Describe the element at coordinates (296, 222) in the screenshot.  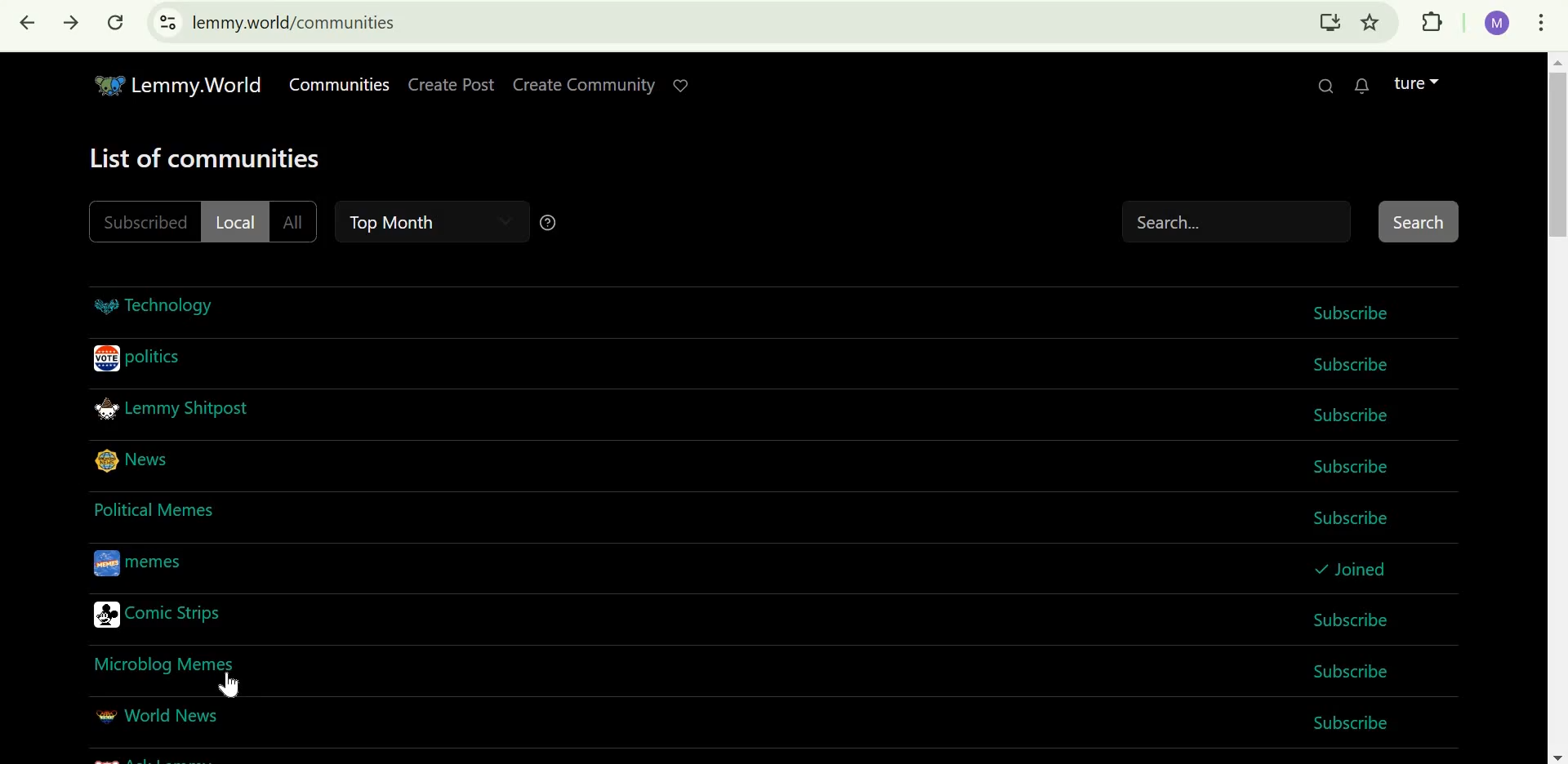
I see `All` at that location.